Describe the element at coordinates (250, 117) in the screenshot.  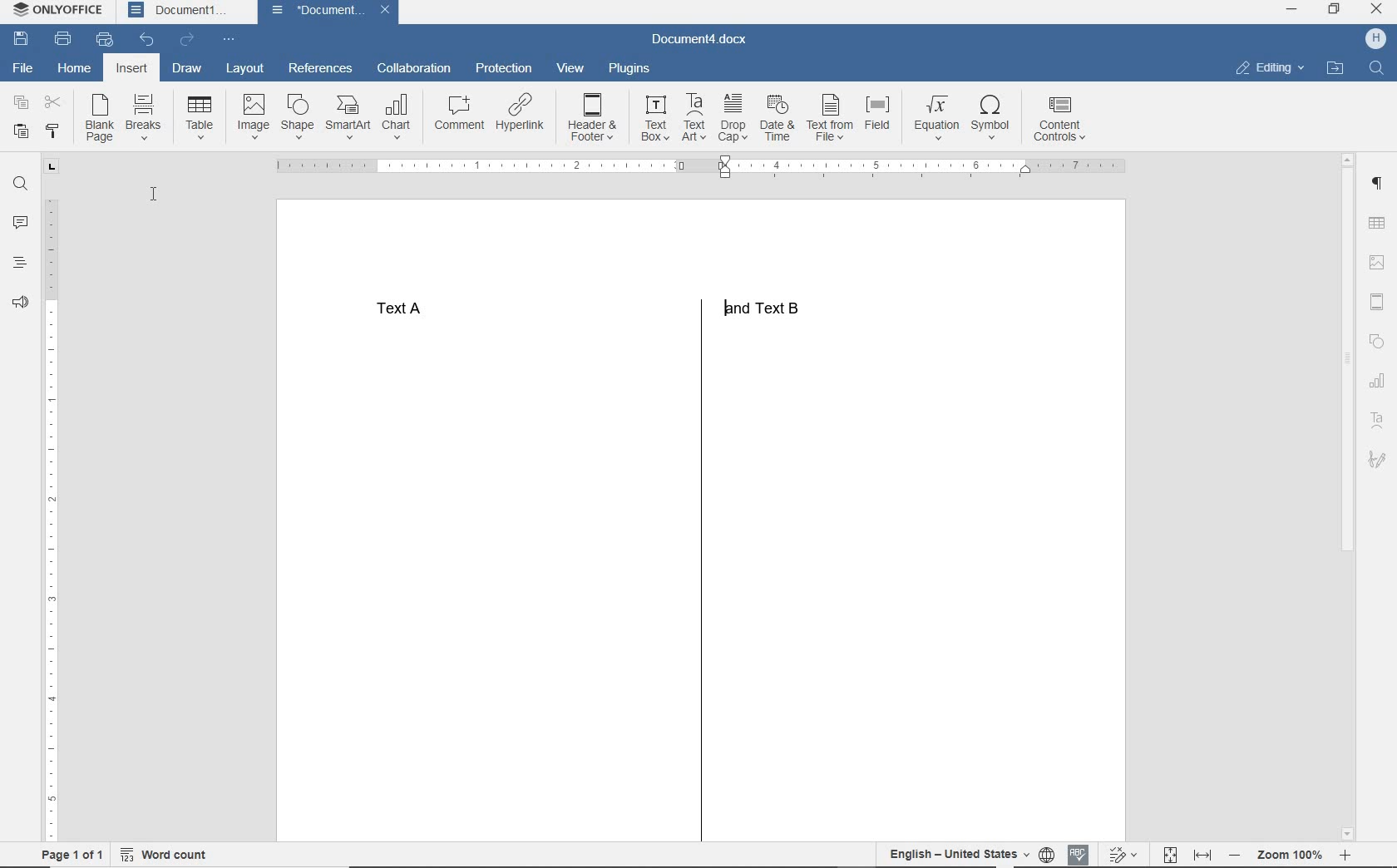
I see `IMAGE` at that location.